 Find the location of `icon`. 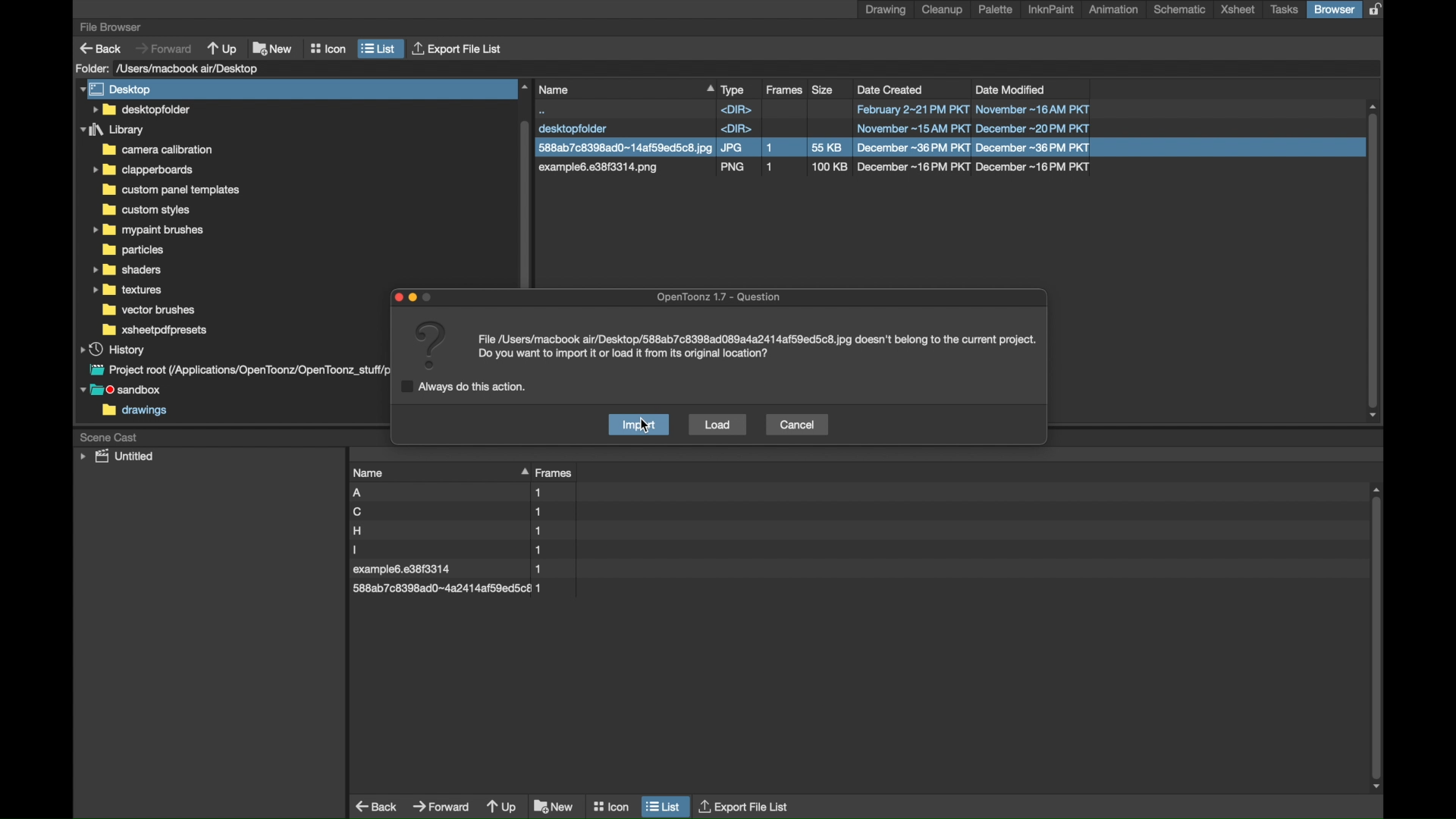

icon is located at coordinates (328, 49).